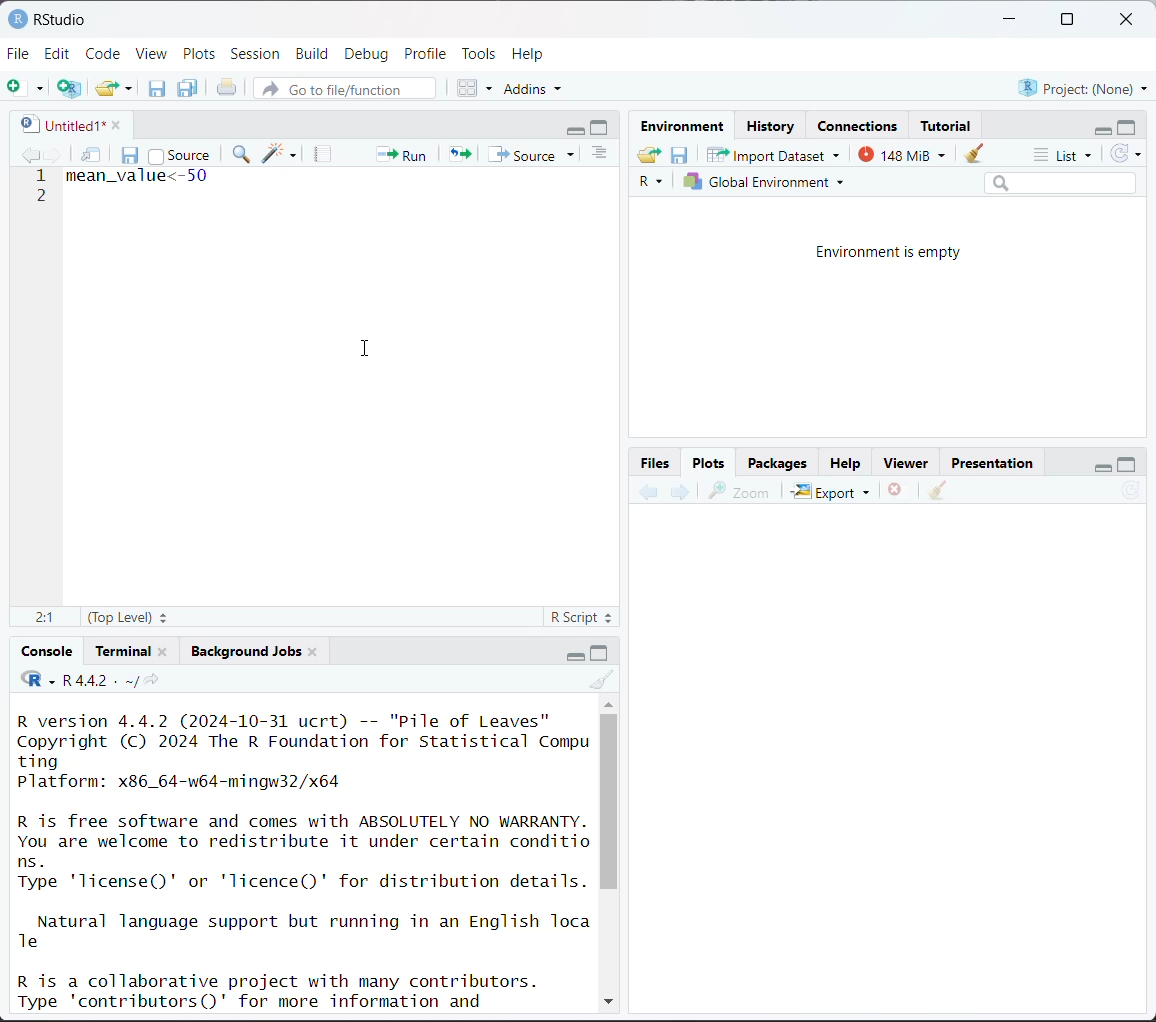 Image resolution: width=1156 pixels, height=1022 pixels. I want to click on minimize, so click(571, 654).